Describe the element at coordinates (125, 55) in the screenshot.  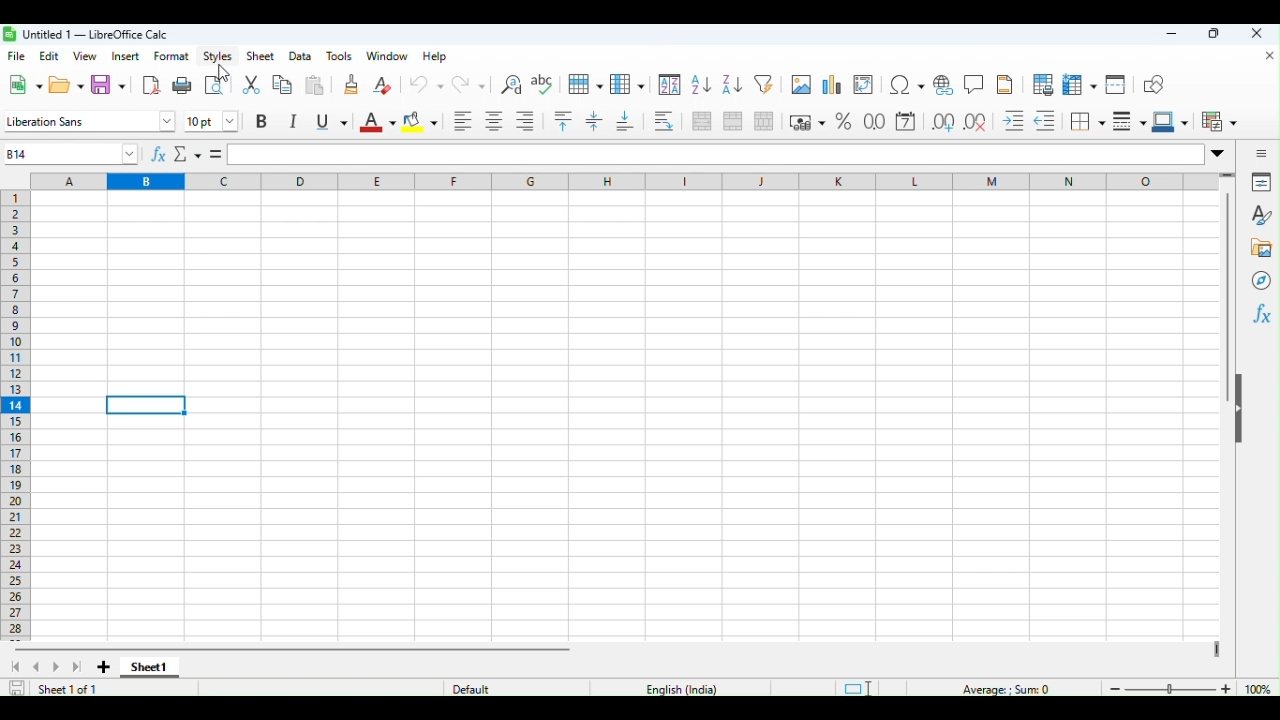
I see `Insert` at that location.